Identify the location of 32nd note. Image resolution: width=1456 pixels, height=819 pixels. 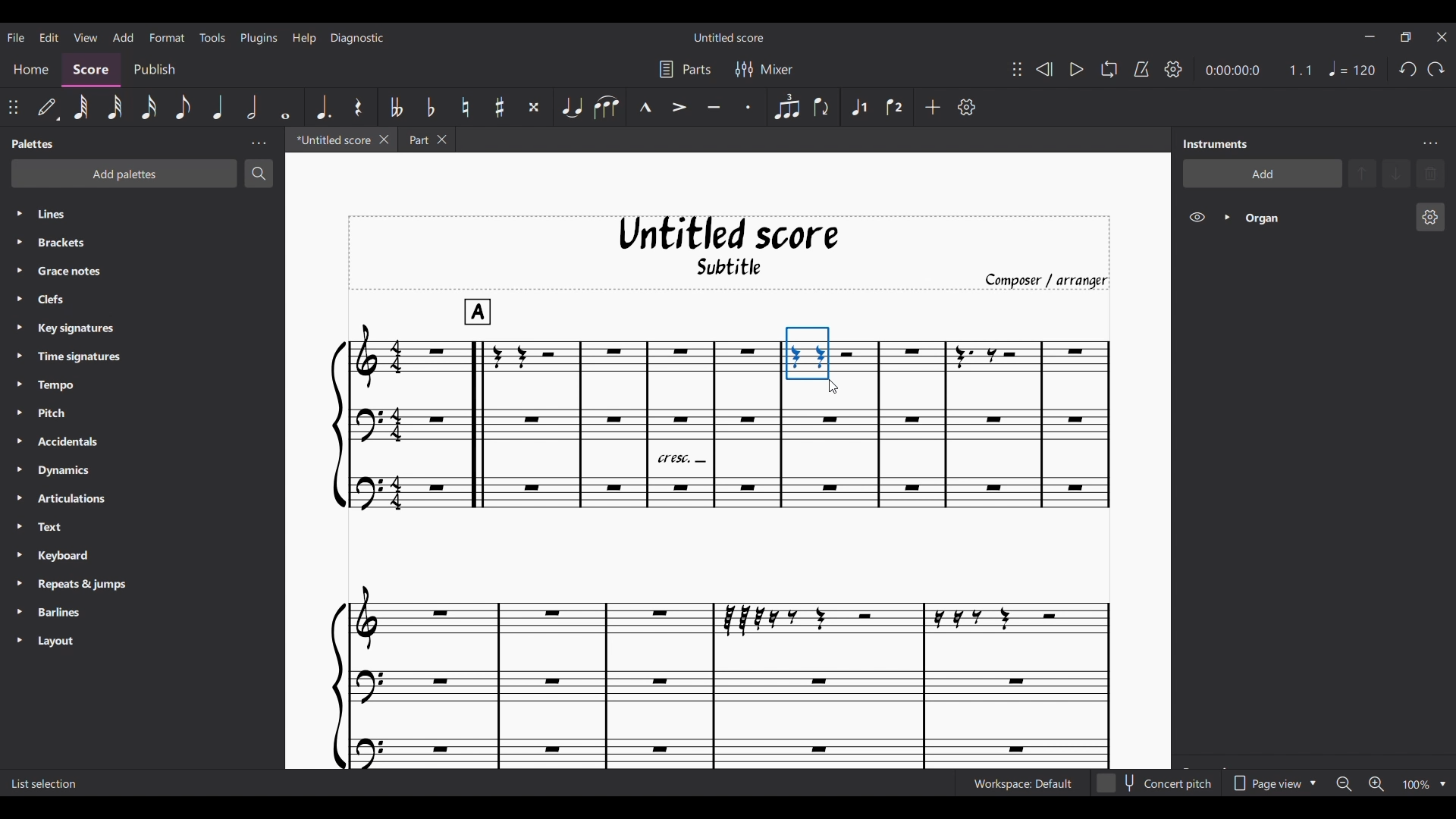
(115, 108).